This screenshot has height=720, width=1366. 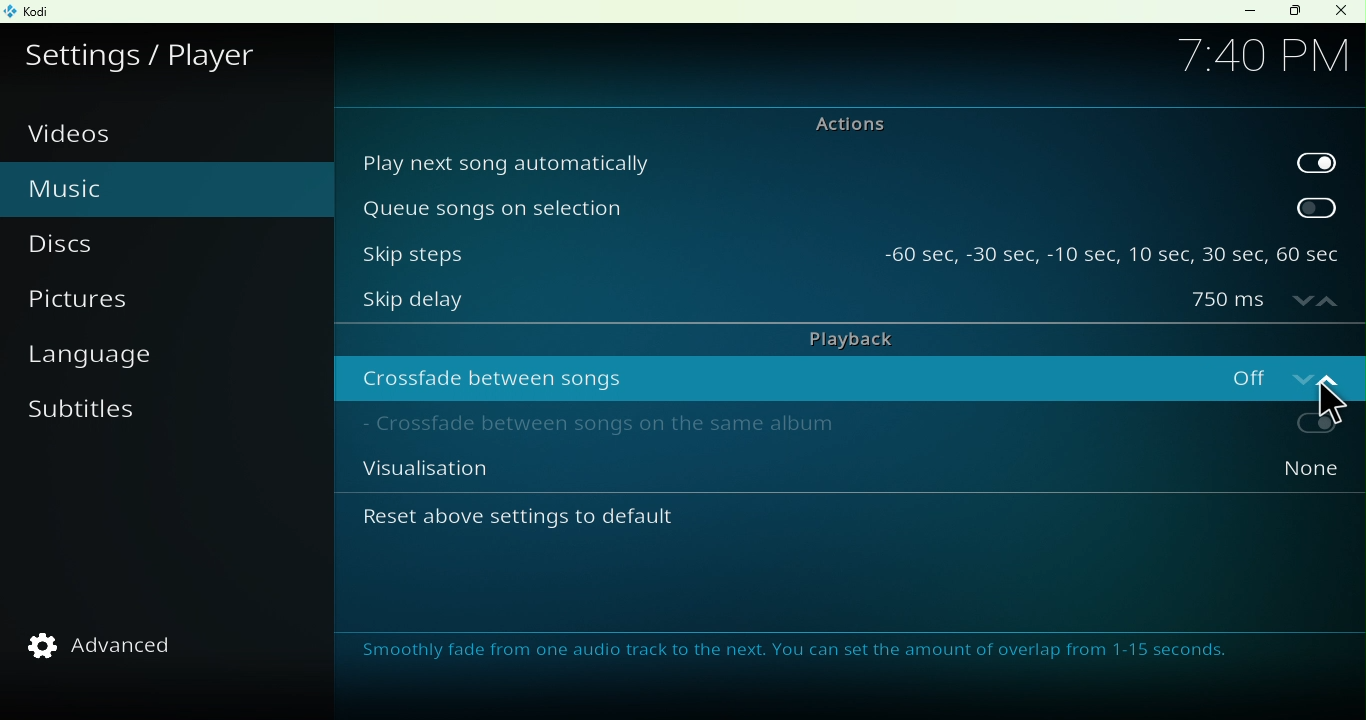 I want to click on Language, so click(x=108, y=360).